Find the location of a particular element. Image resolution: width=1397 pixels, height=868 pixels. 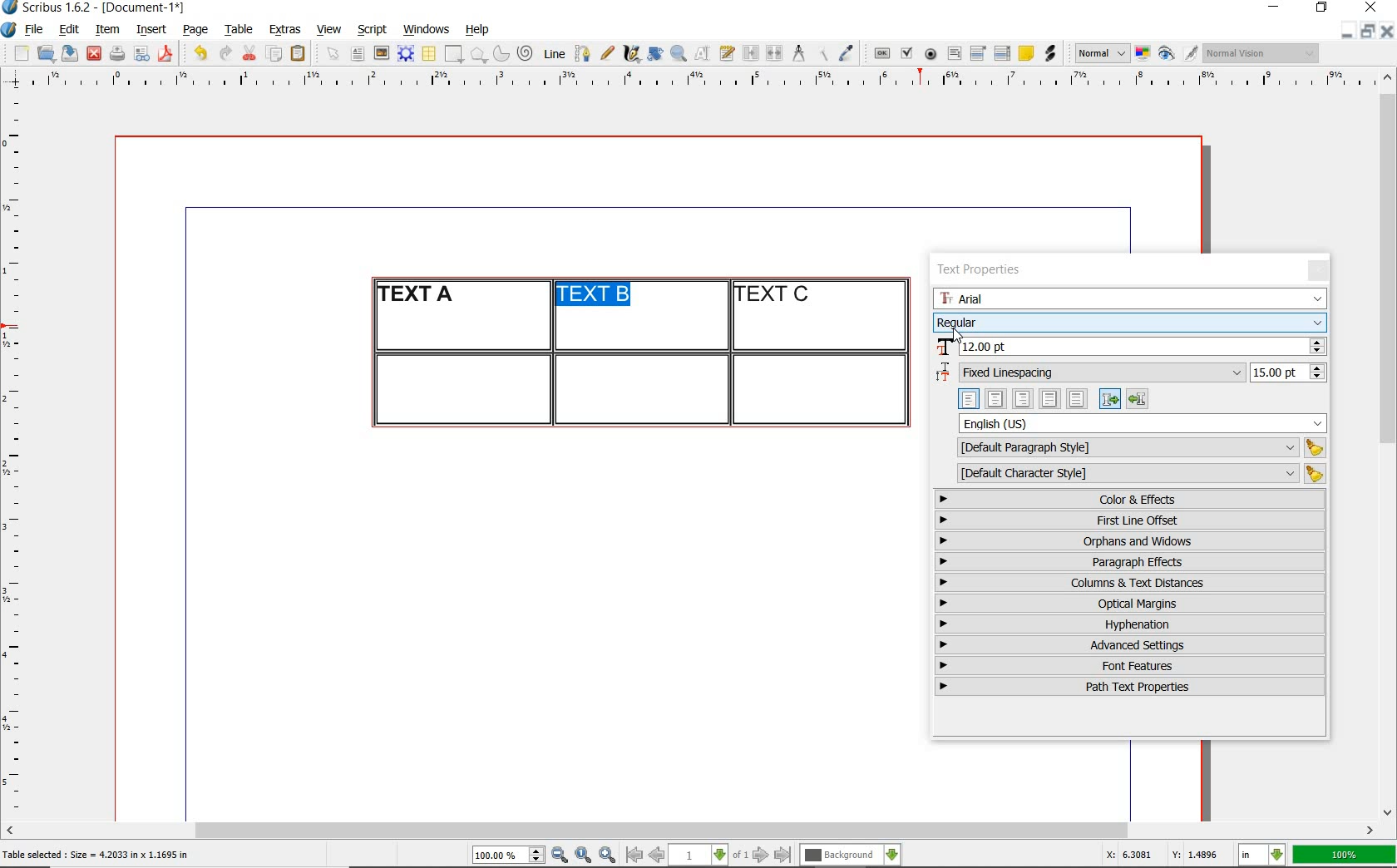

100% is located at coordinates (1345, 855).